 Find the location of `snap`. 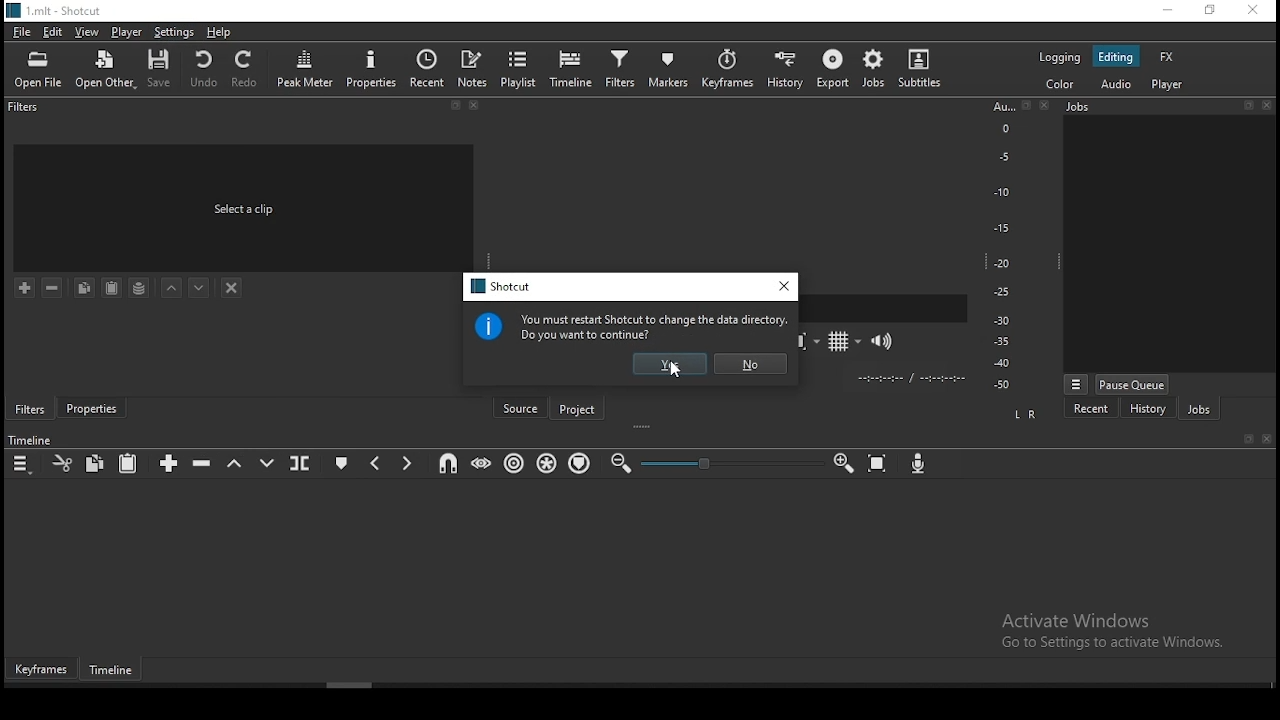

snap is located at coordinates (450, 464).